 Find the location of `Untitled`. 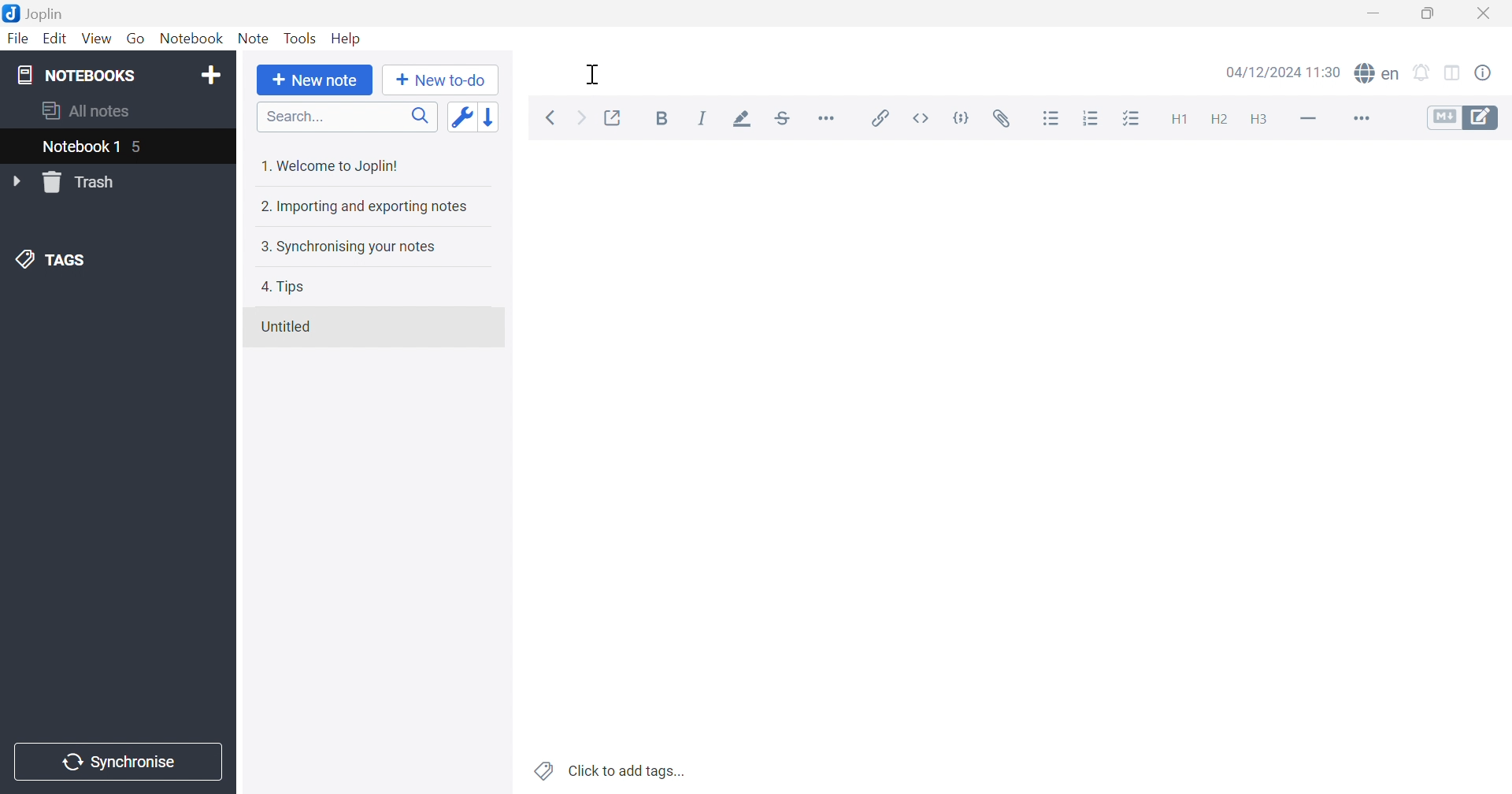

Untitled is located at coordinates (287, 328).